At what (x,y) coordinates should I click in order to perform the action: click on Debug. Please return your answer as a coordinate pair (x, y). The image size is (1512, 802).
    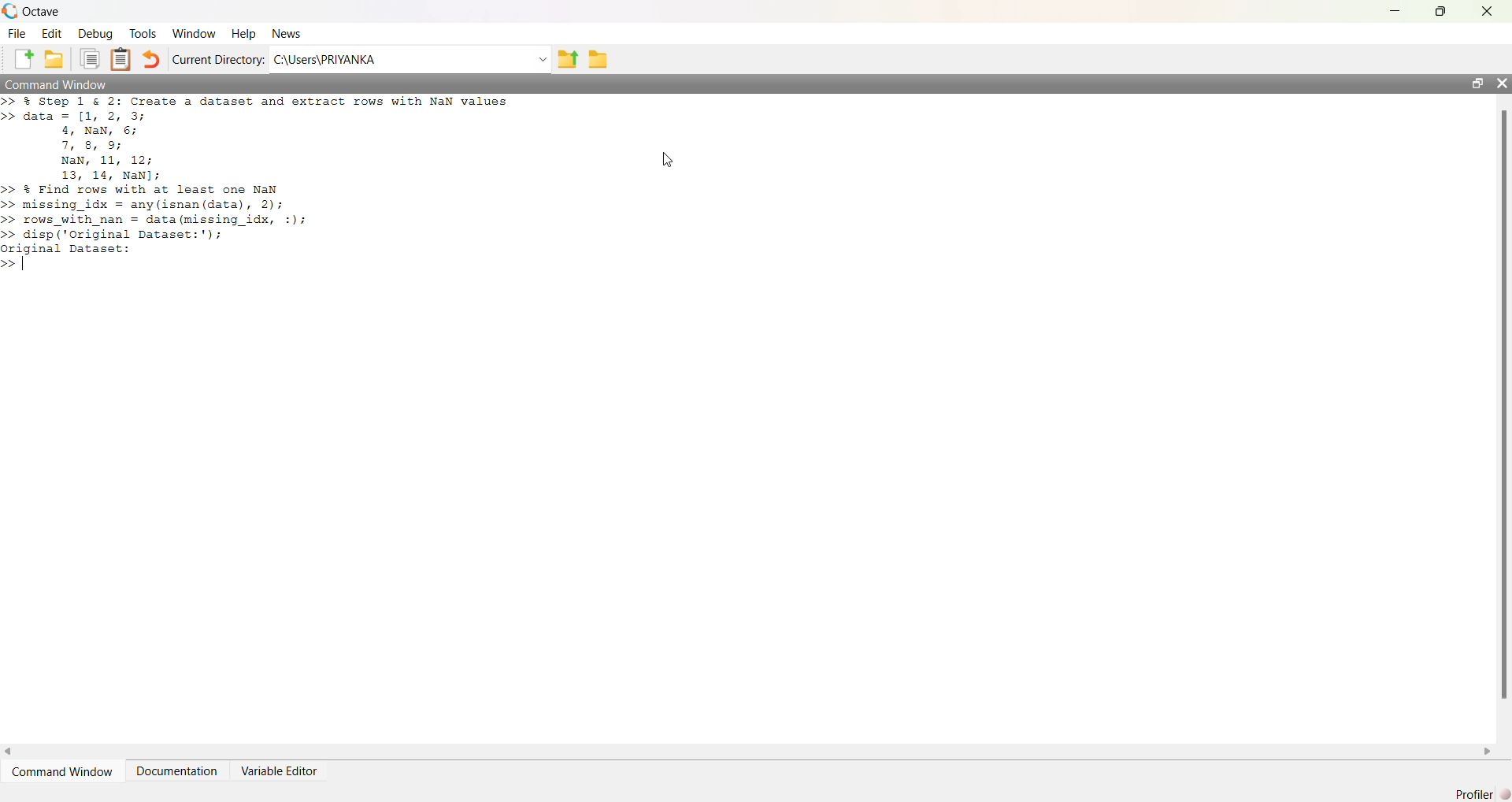
    Looking at the image, I should click on (95, 34).